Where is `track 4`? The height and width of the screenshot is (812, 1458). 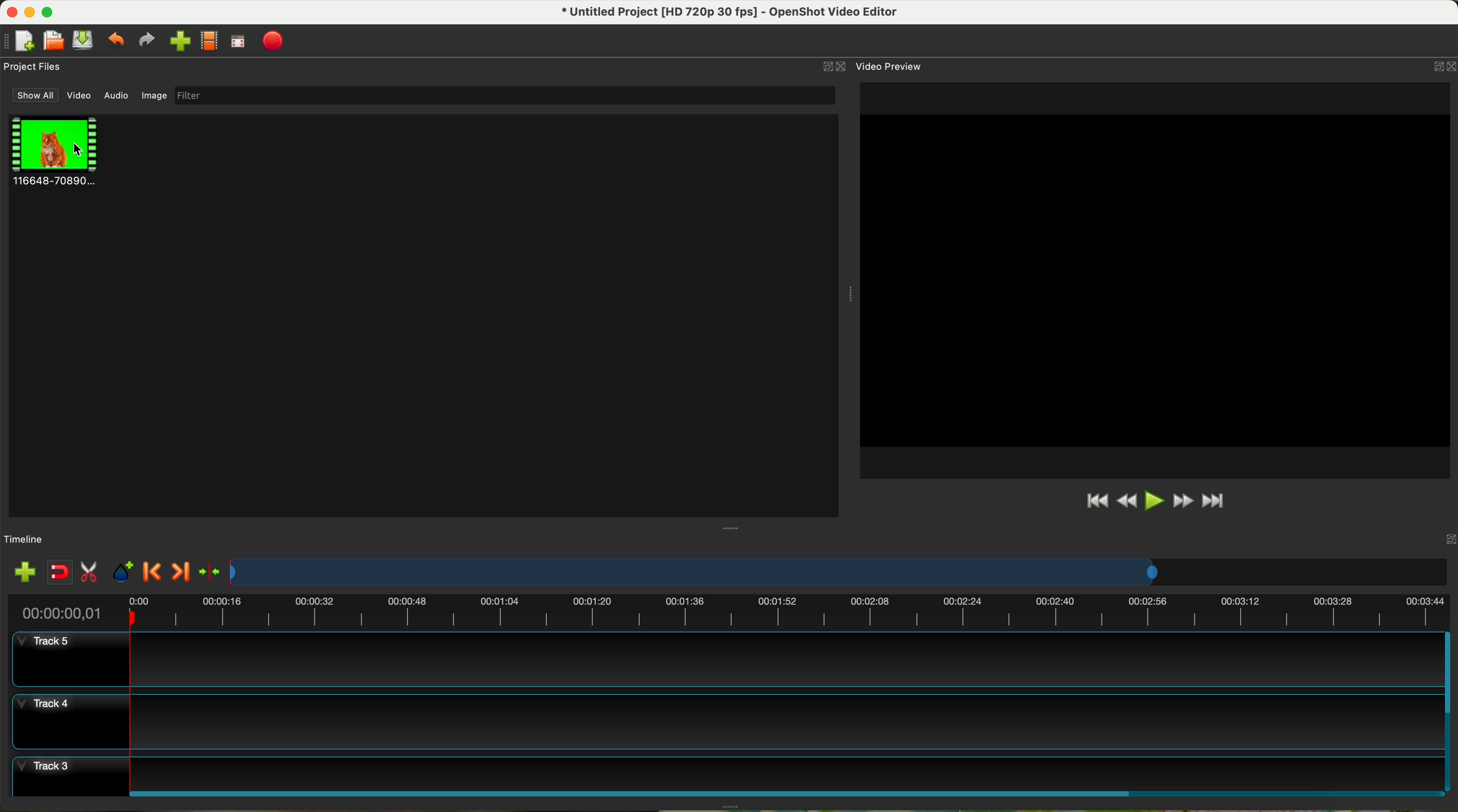
track 4 is located at coordinates (725, 721).